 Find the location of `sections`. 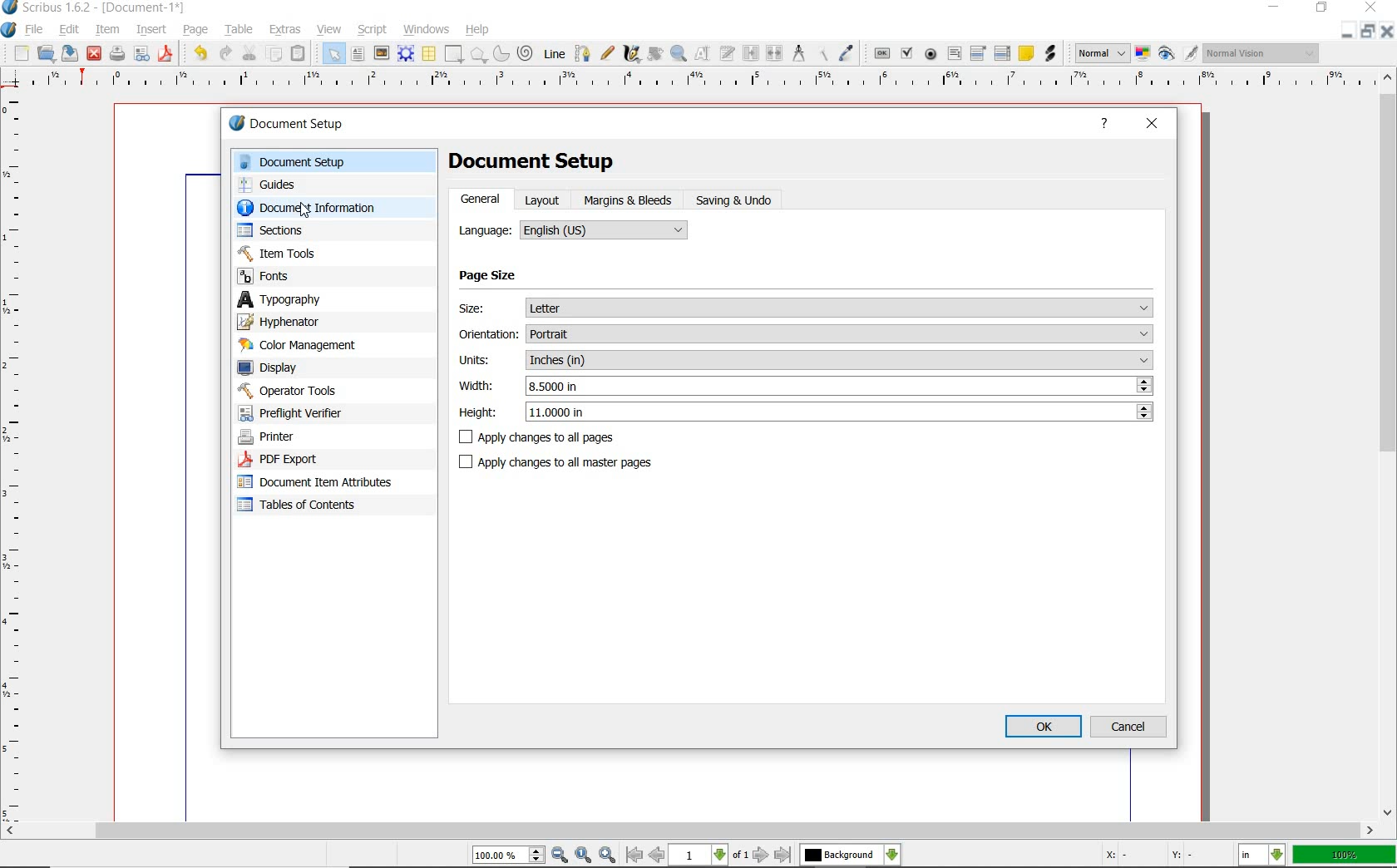

sections is located at coordinates (307, 230).